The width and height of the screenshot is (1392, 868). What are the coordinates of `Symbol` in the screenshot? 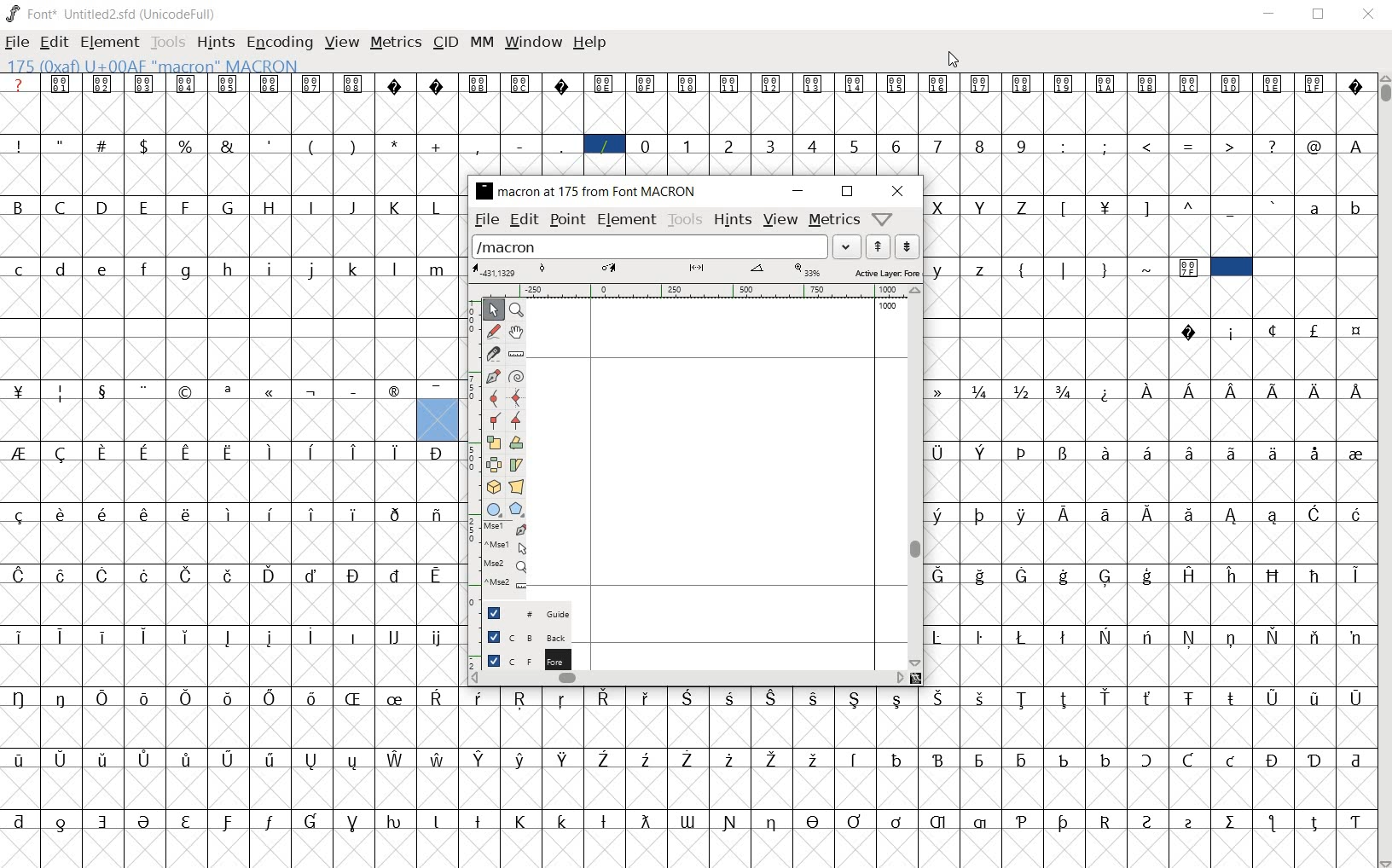 It's located at (271, 452).